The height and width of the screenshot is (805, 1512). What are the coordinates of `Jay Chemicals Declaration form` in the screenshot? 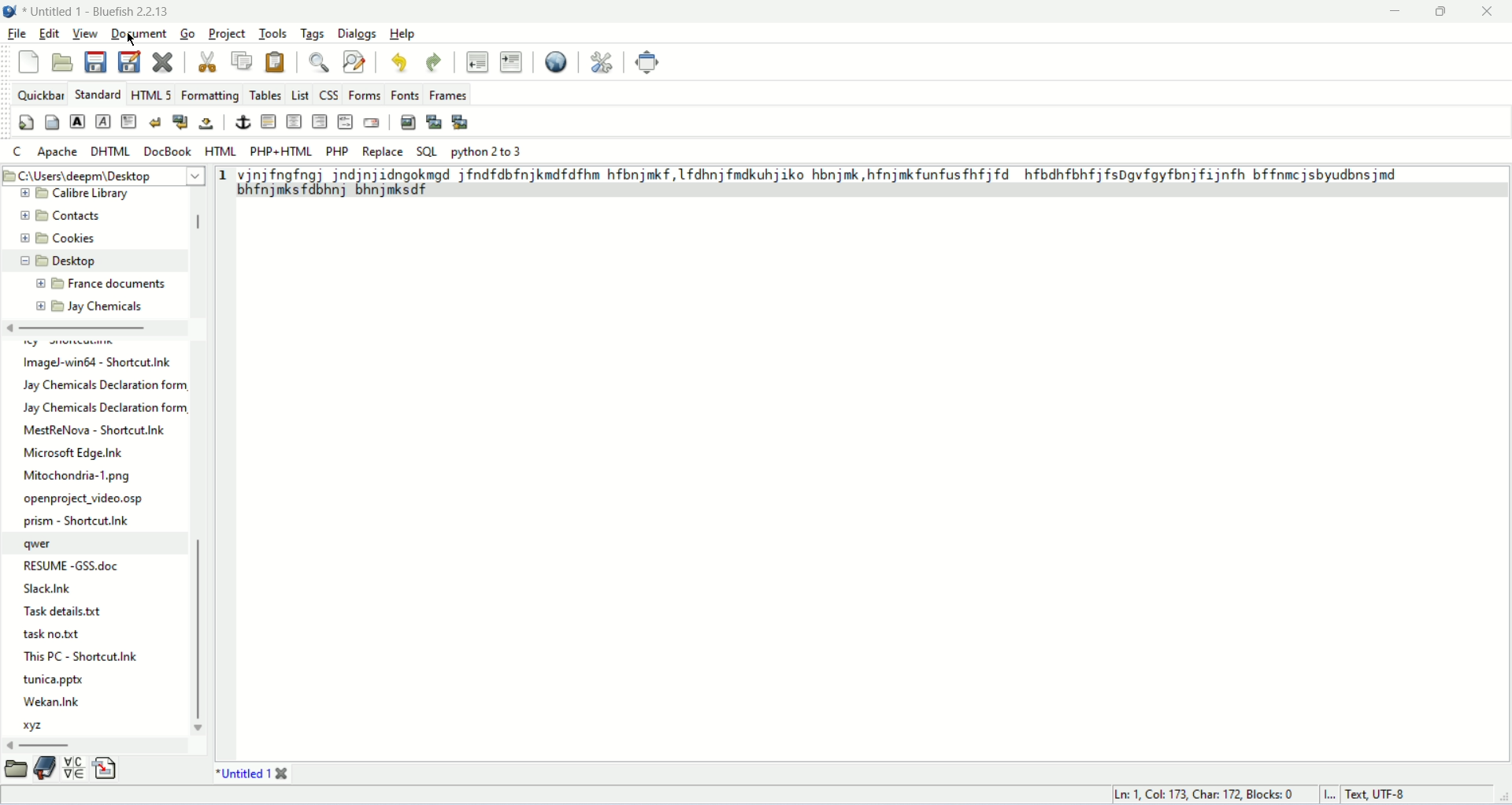 It's located at (100, 384).